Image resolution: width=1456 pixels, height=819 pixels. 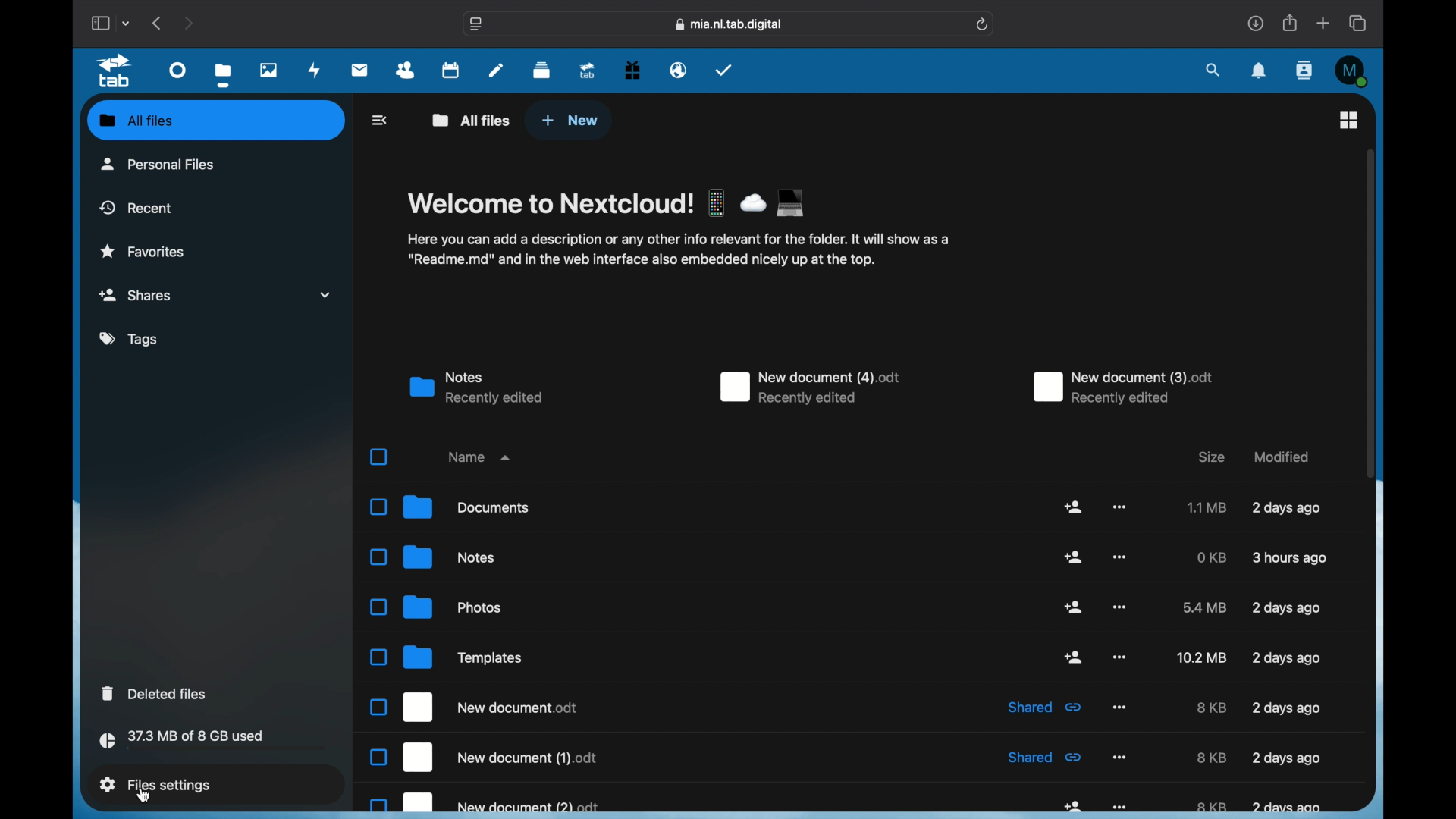 What do you see at coordinates (1073, 507) in the screenshot?
I see `share` at bounding box center [1073, 507].